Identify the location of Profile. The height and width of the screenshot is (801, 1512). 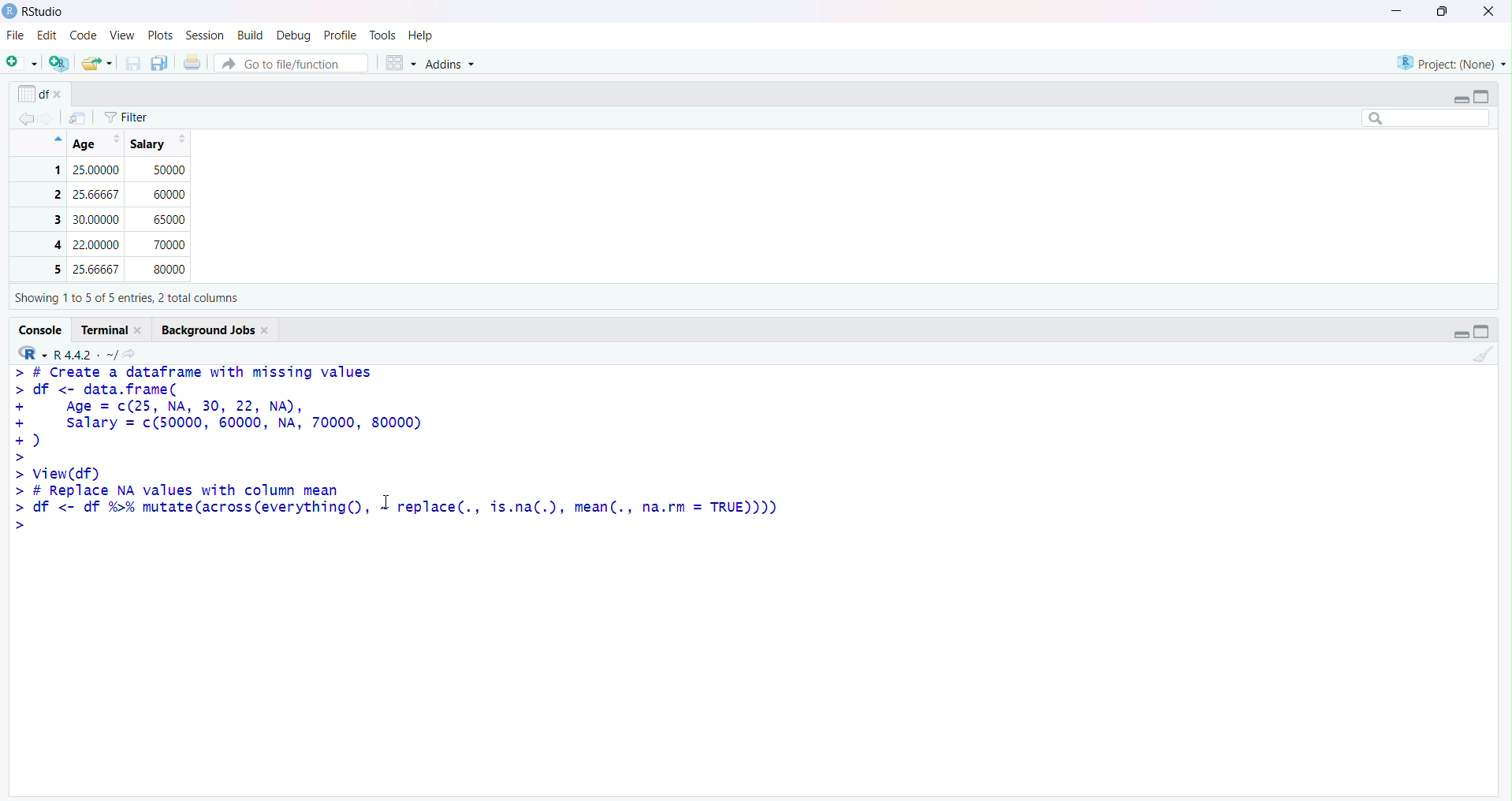
(341, 35).